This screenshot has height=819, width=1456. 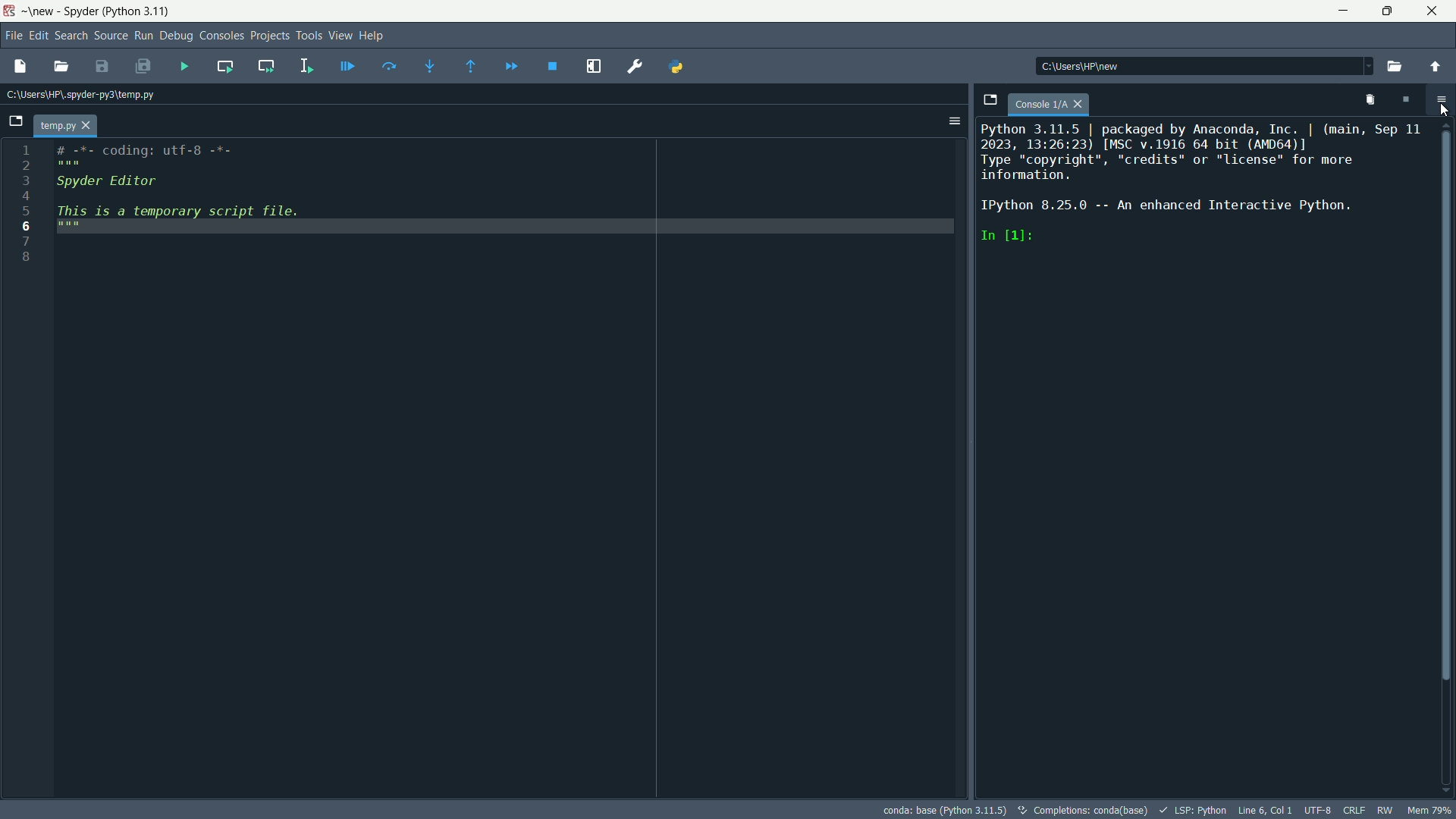 What do you see at coordinates (1426, 809) in the screenshot?
I see `mem 79%` at bounding box center [1426, 809].